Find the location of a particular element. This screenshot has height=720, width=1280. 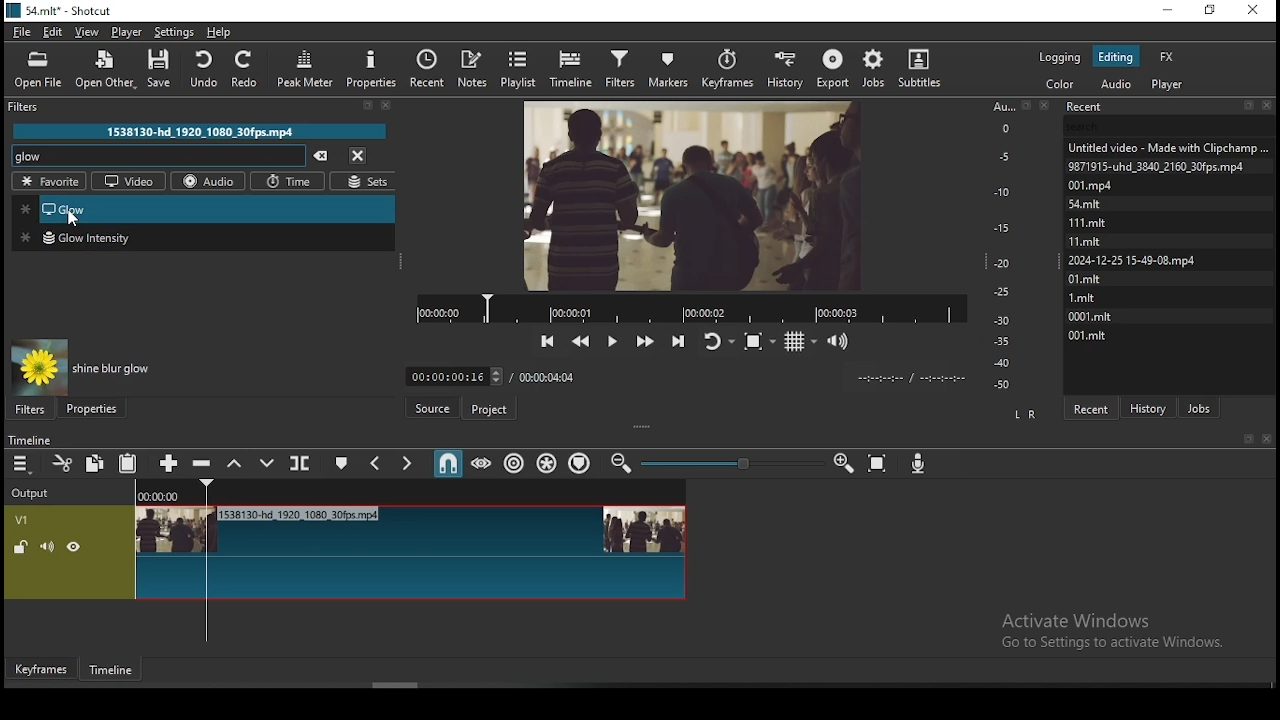

shine blur glow is located at coordinates (111, 368).